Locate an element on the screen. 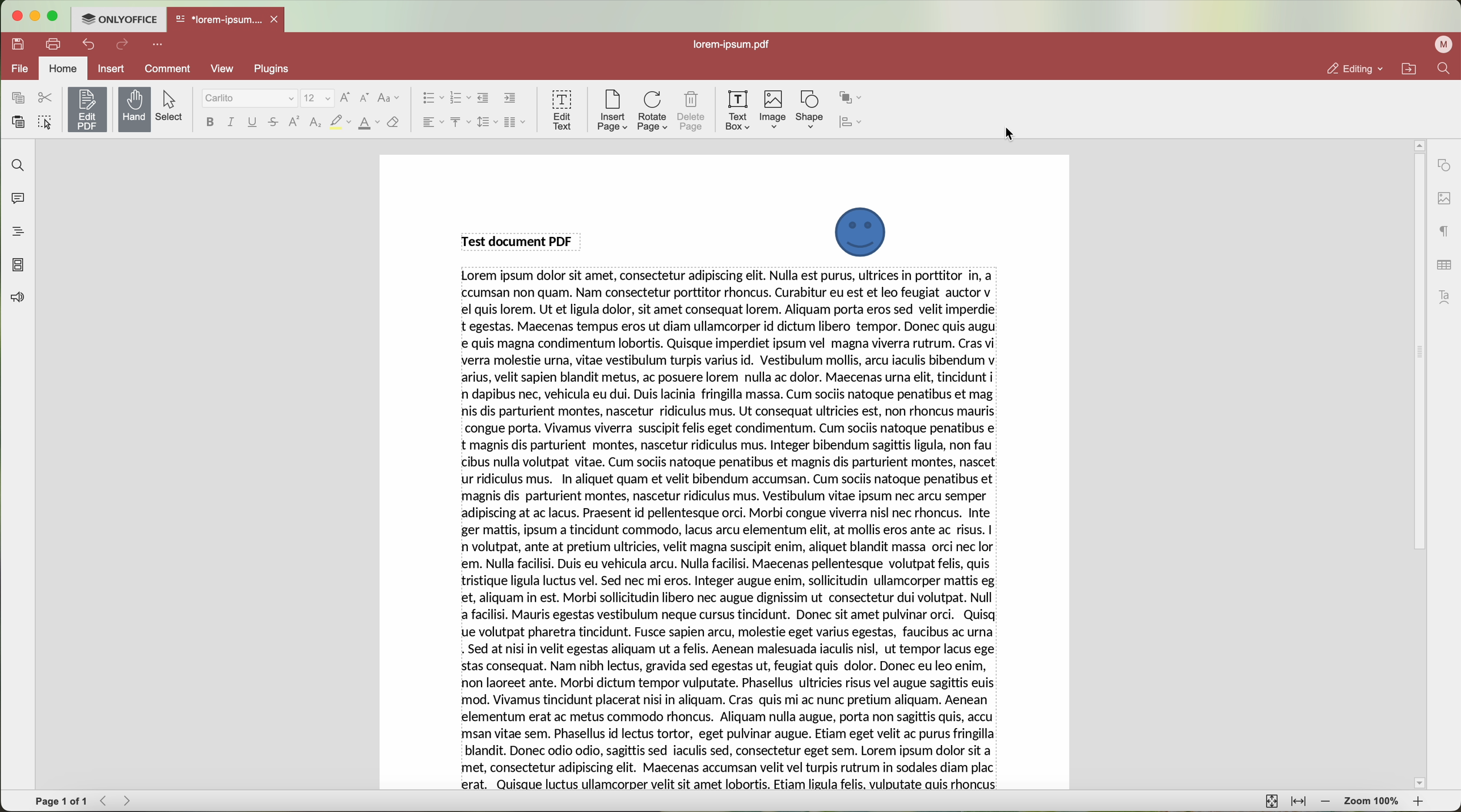  subscript is located at coordinates (315, 124).